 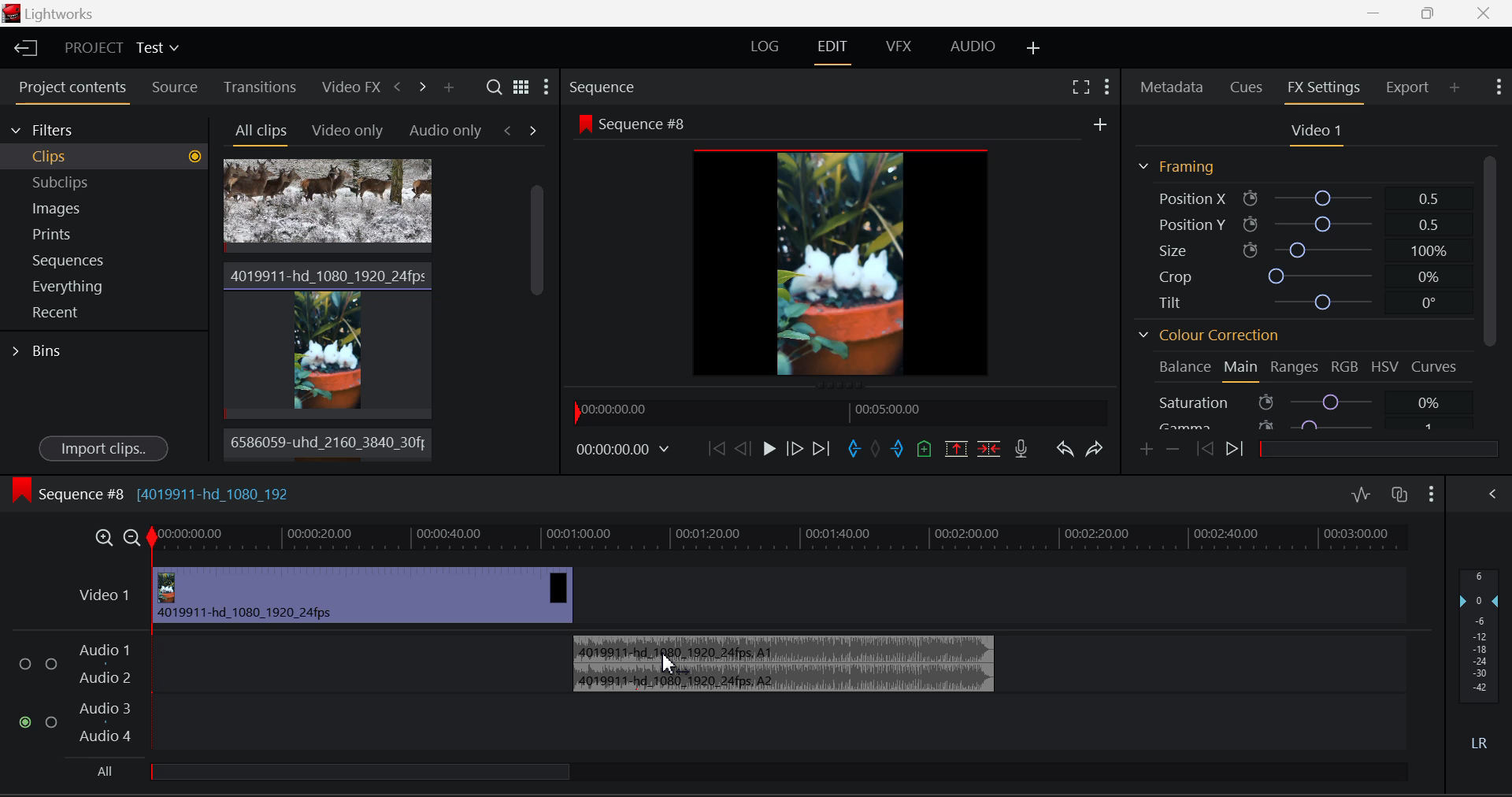 I want to click on Video only, so click(x=345, y=129).